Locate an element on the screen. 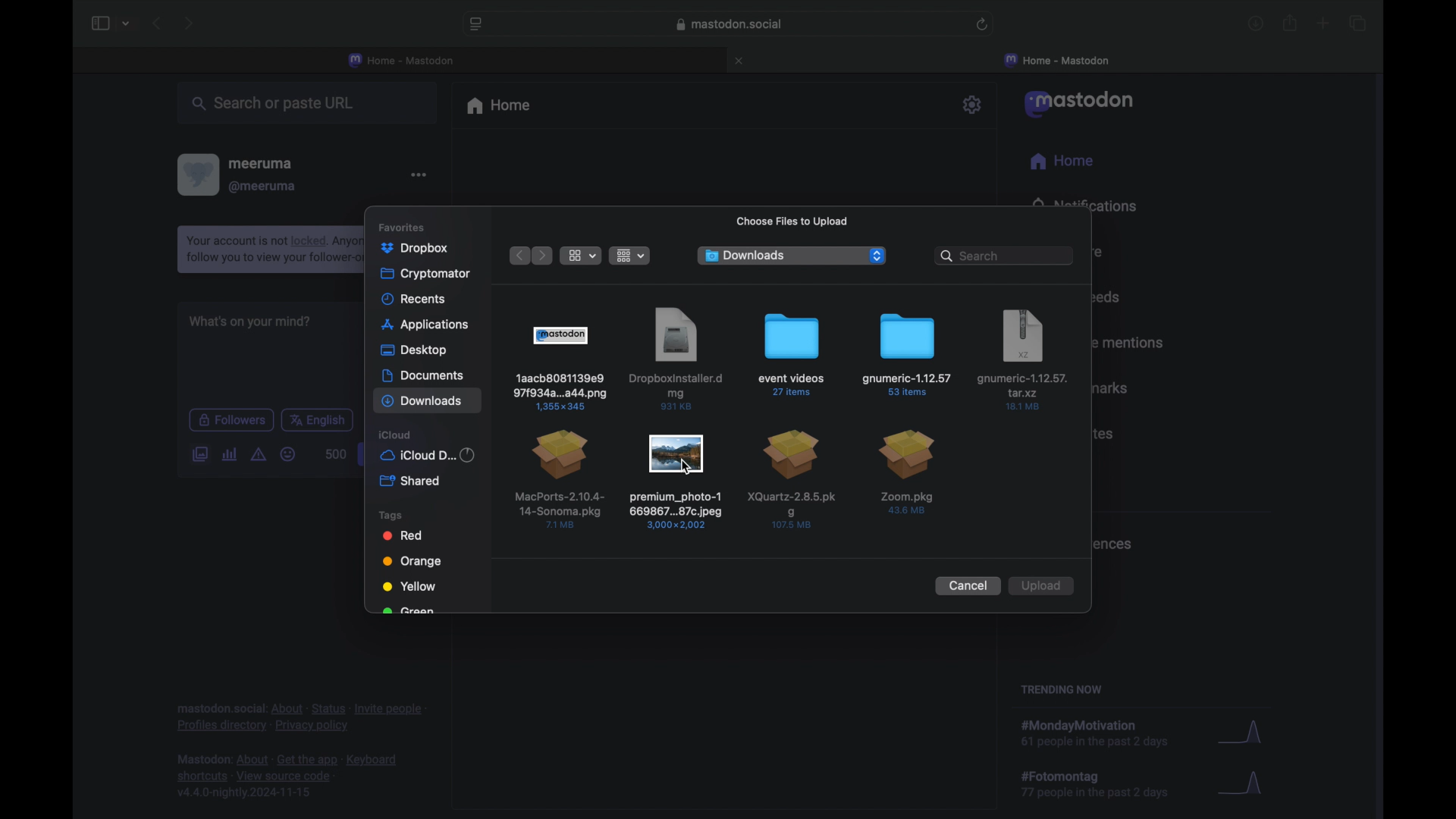 The width and height of the screenshot is (1456, 819). profile picture is located at coordinates (197, 174).